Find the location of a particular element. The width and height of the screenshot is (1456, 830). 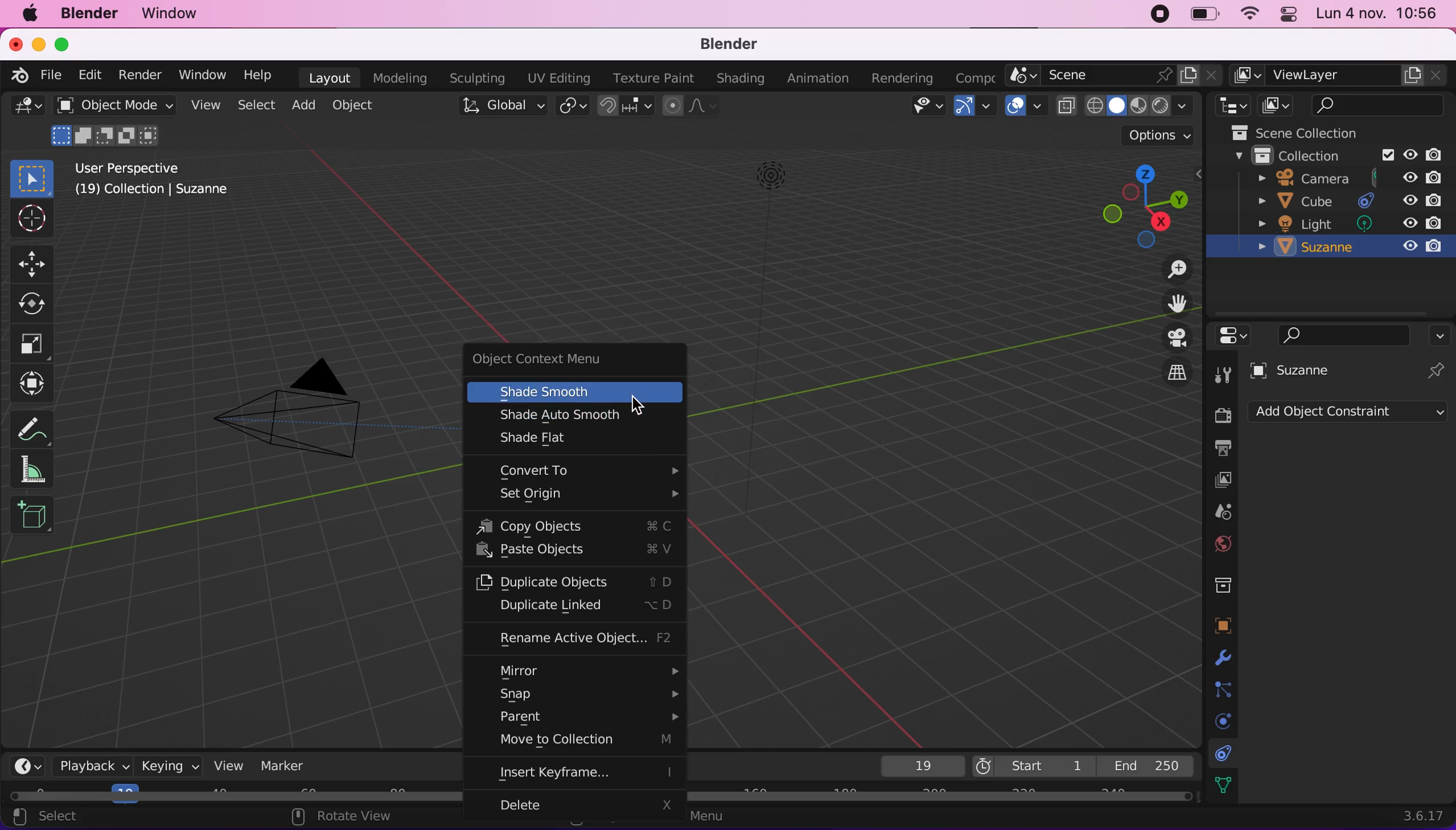

shade smooth is located at coordinates (575, 393).